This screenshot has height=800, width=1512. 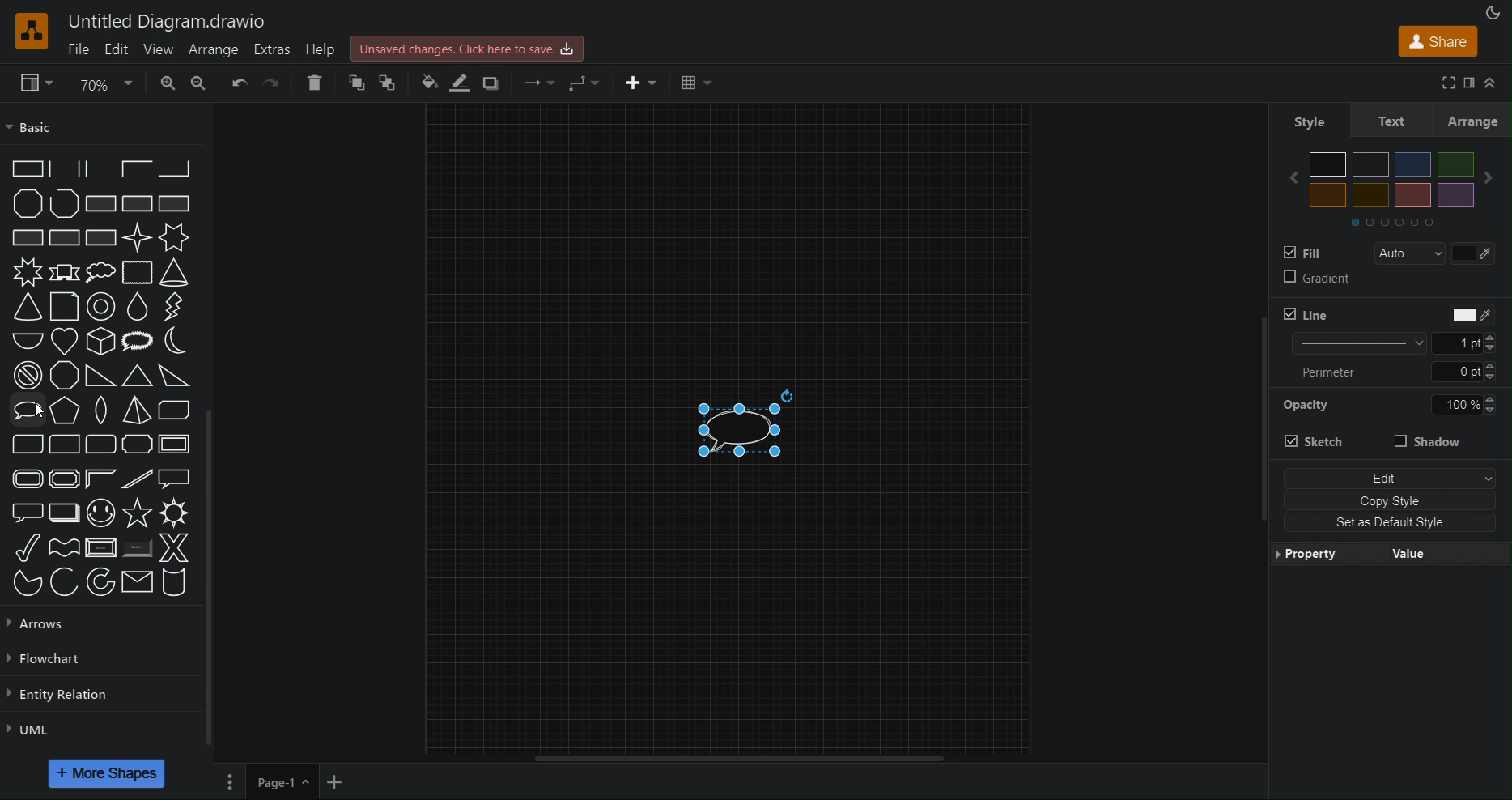 What do you see at coordinates (28, 238) in the screenshot?
I see `Rectangle with Horizontal Fill` at bounding box center [28, 238].